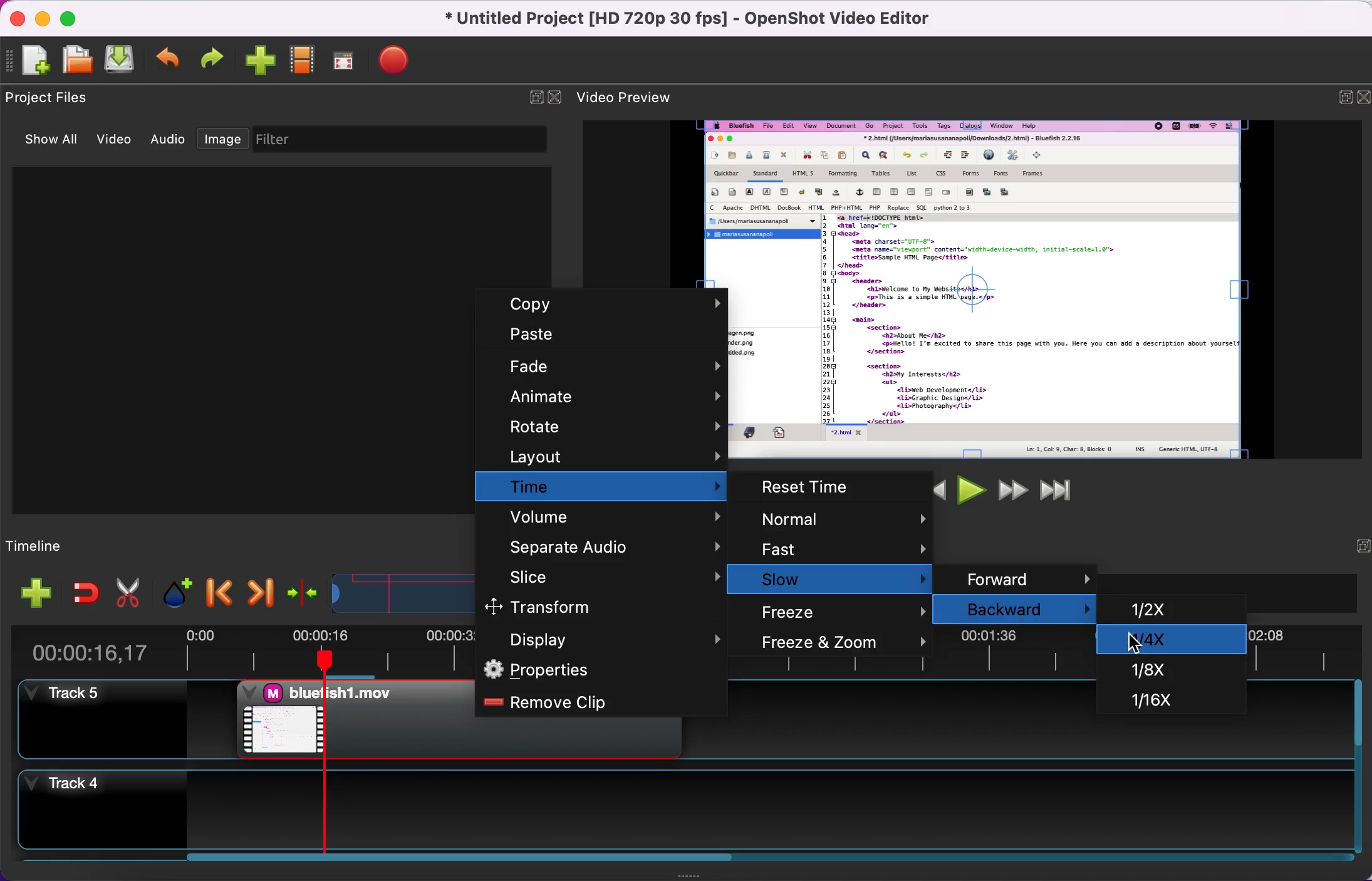 Image resolution: width=1372 pixels, height=881 pixels. I want to click on export video, so click(402, 59).